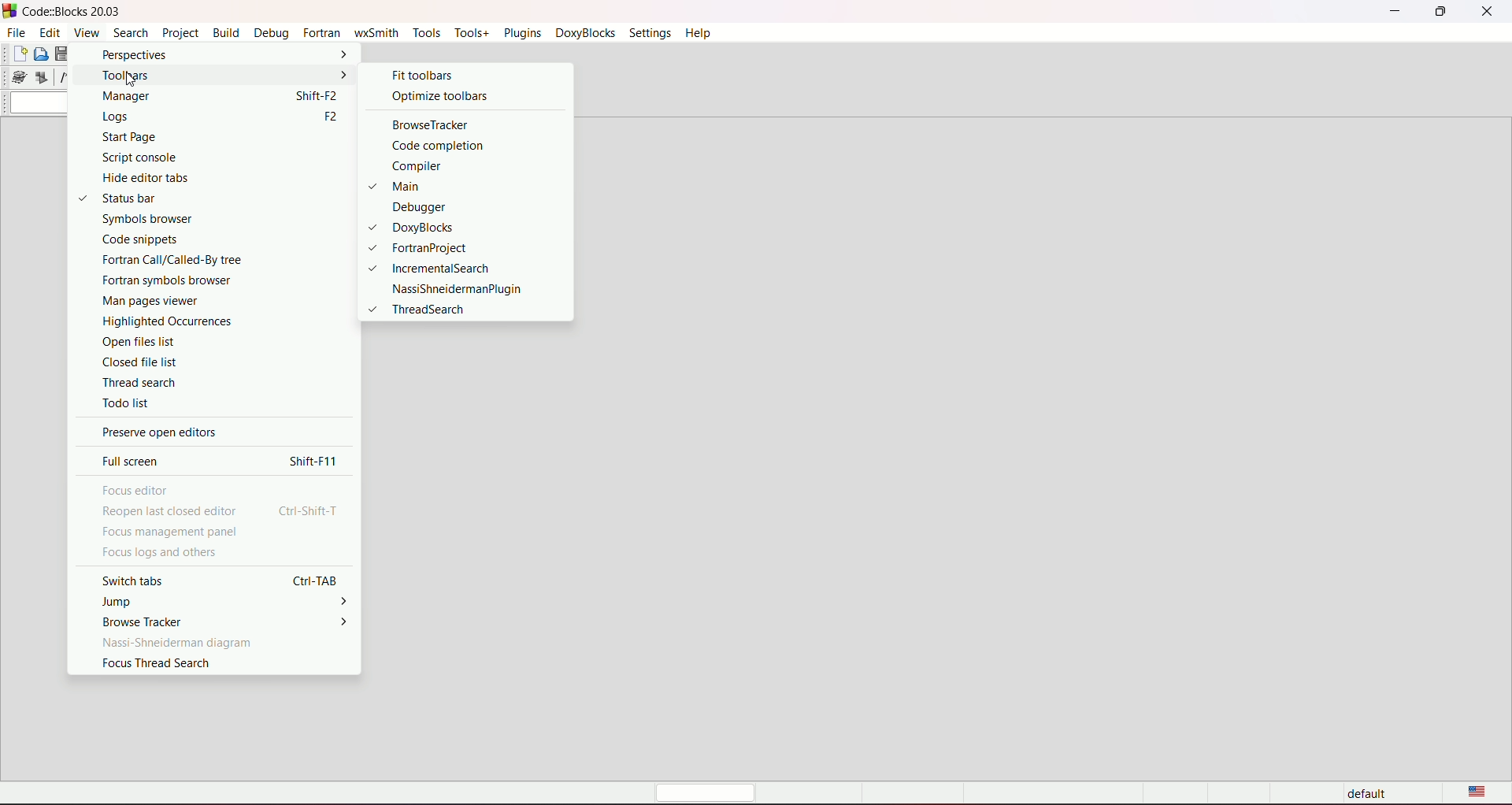 The image size is (1512, 805). Describe the element at coordinates (1395, 10) in the screenshot. I see `minimize` at that location.